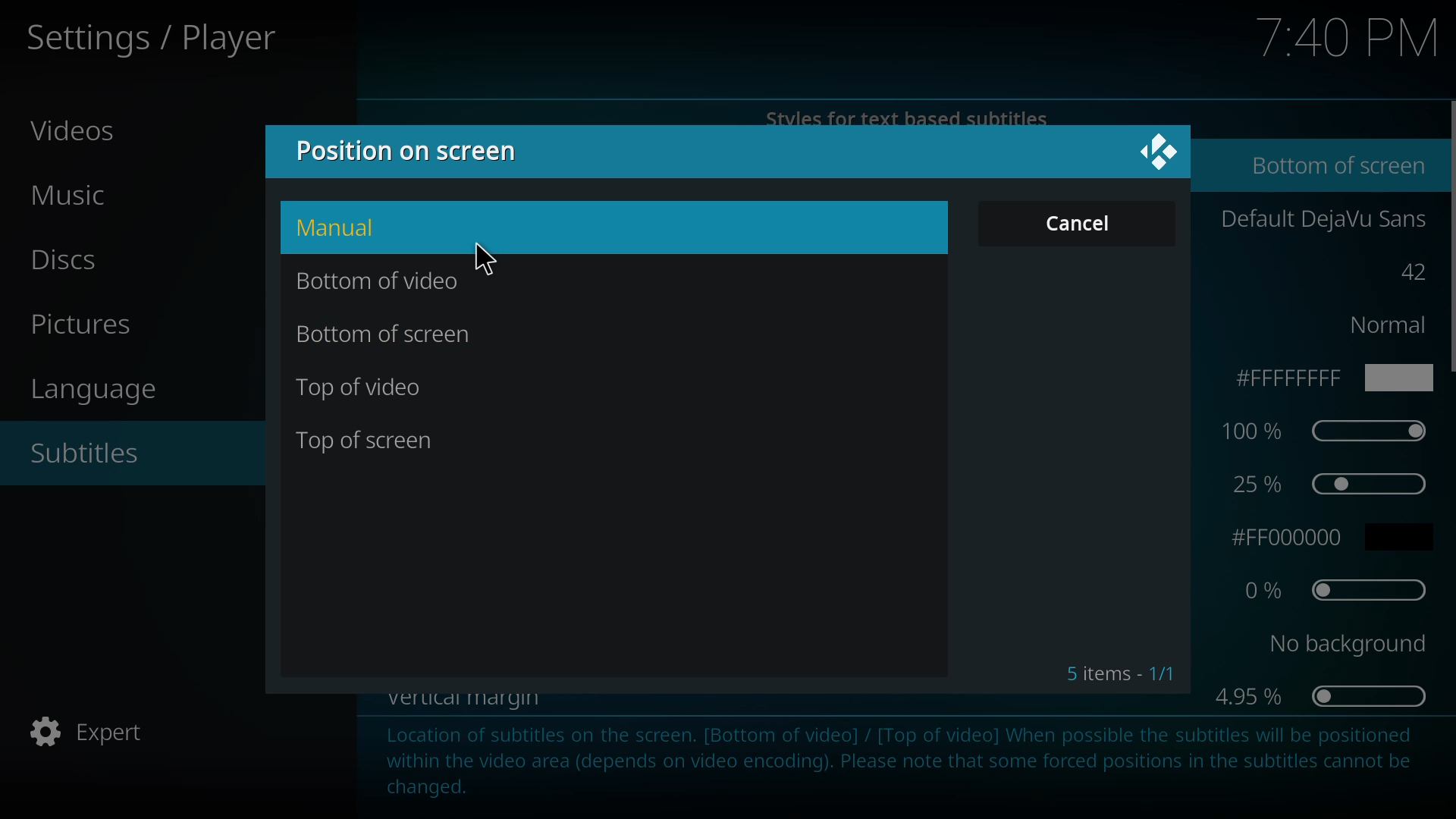 The height and width of the screenshot is (819, 1456). I want to click on discs, so click(66, 262).